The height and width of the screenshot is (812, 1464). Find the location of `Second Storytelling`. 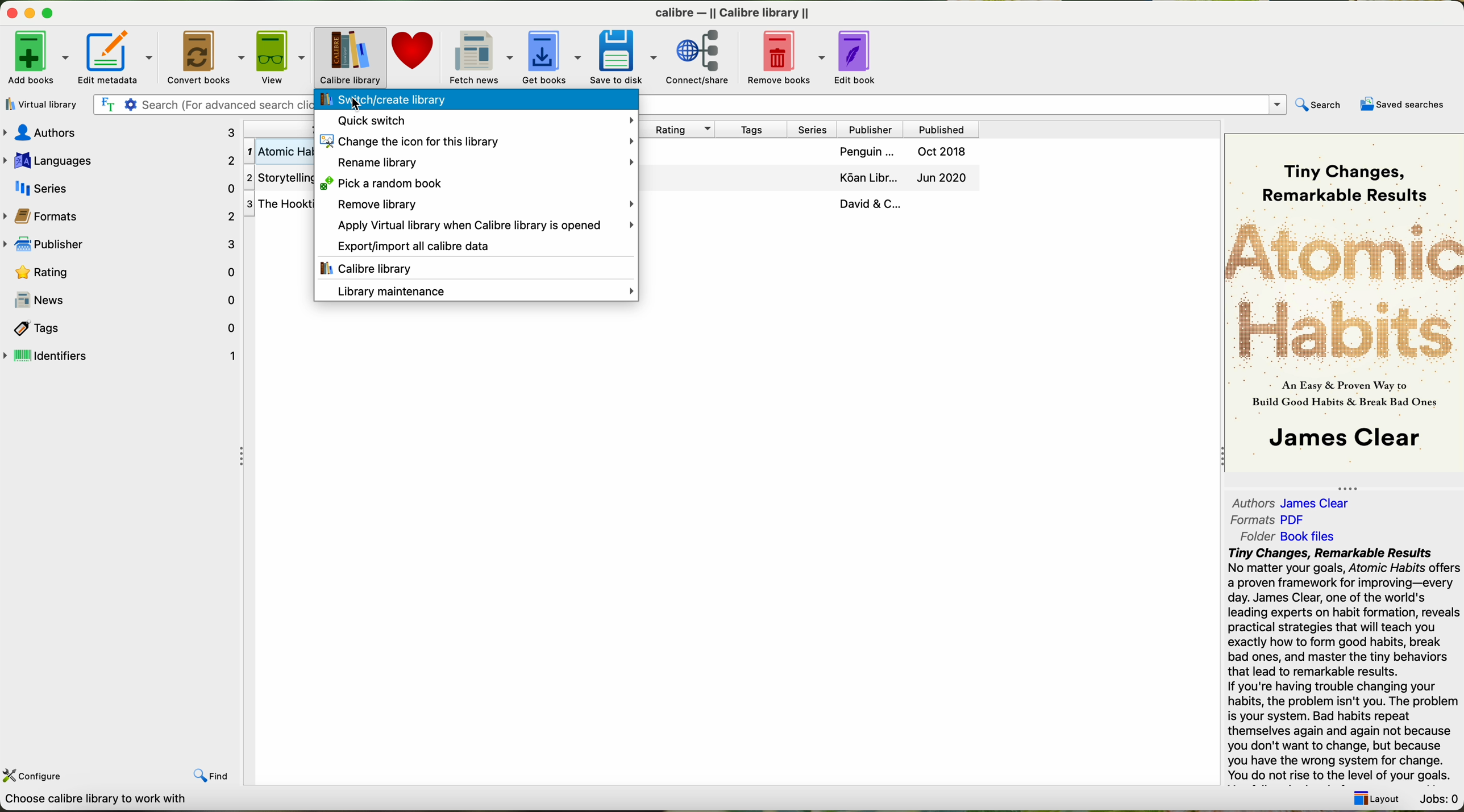

Second Storytelling is located at coordinates (278, 179).